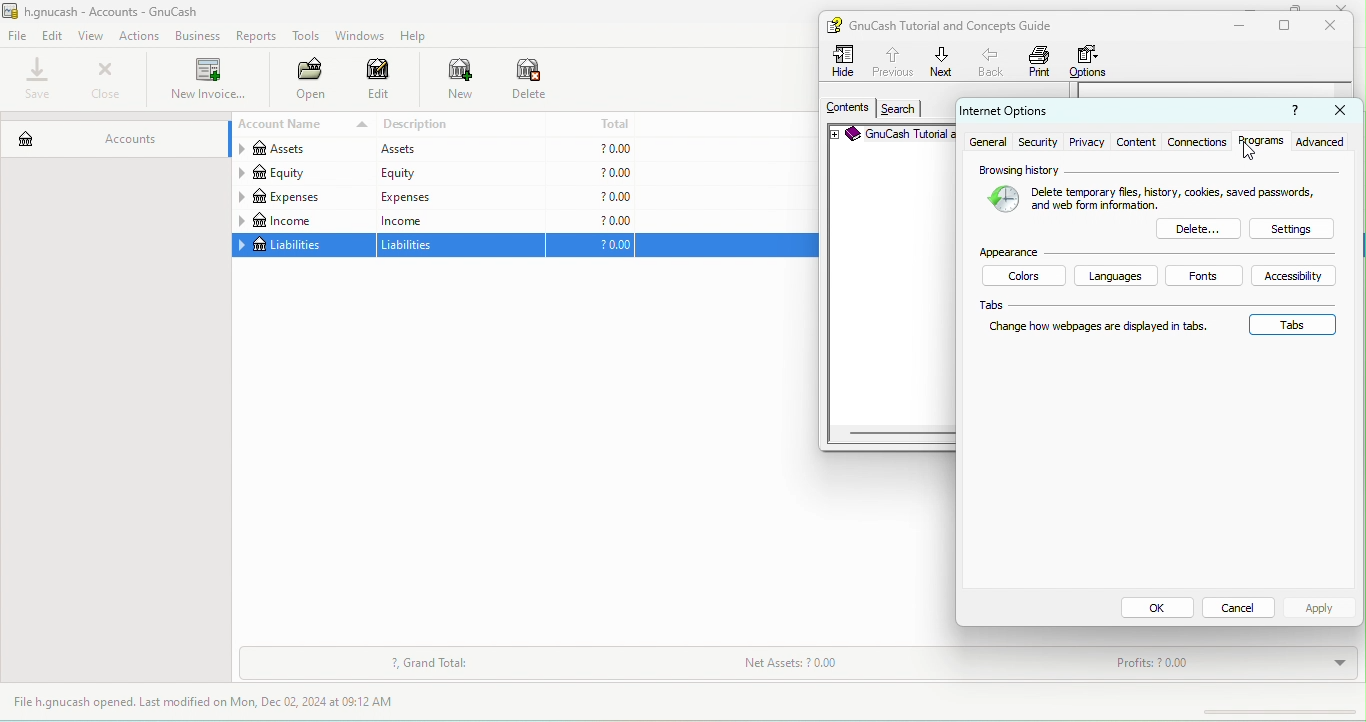  What do you see at coordinates (1154, 251) in the screenshot?
I see `appearence` at bounding box center [1154, 251].